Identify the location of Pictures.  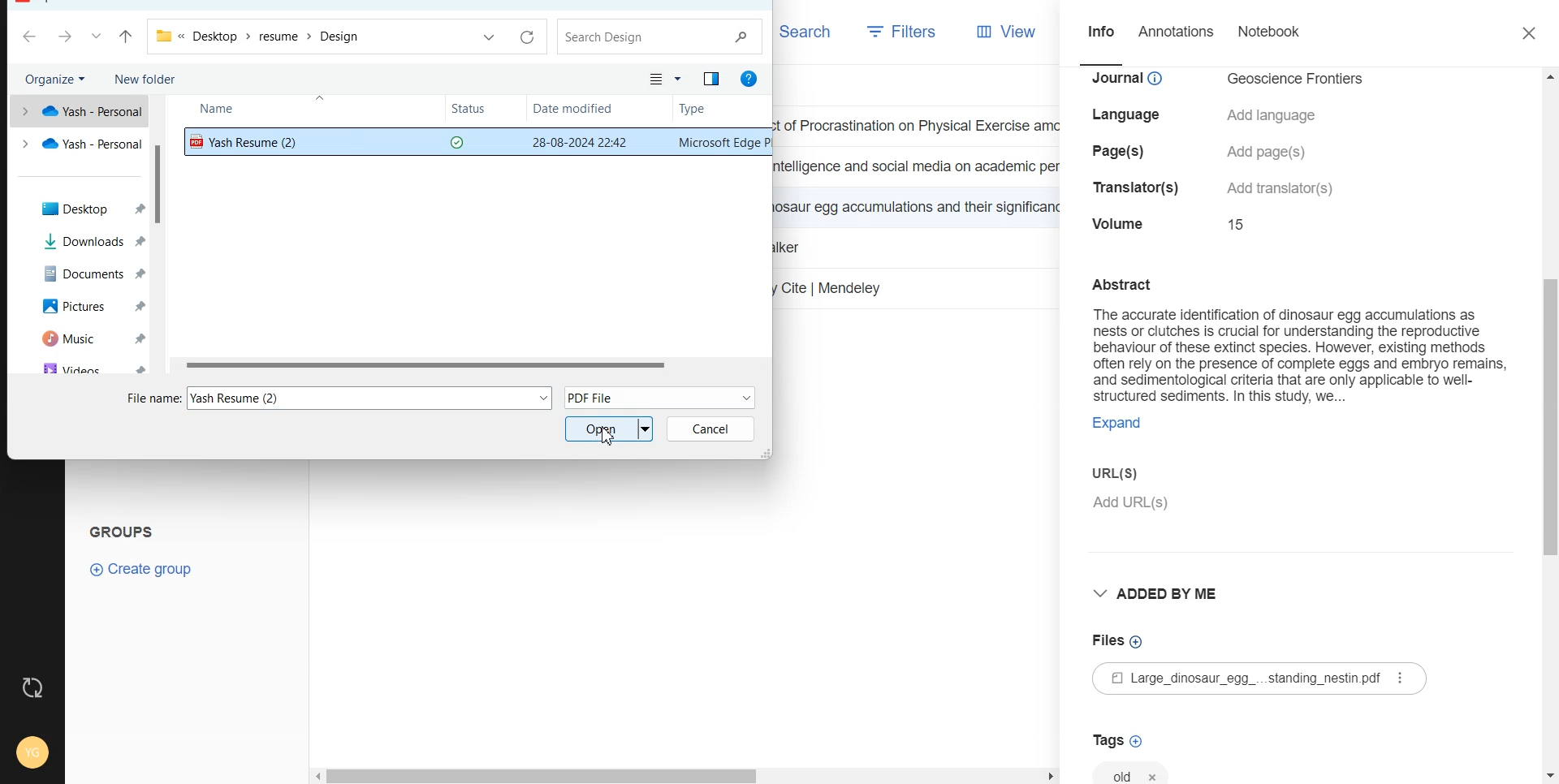
(80, 304).